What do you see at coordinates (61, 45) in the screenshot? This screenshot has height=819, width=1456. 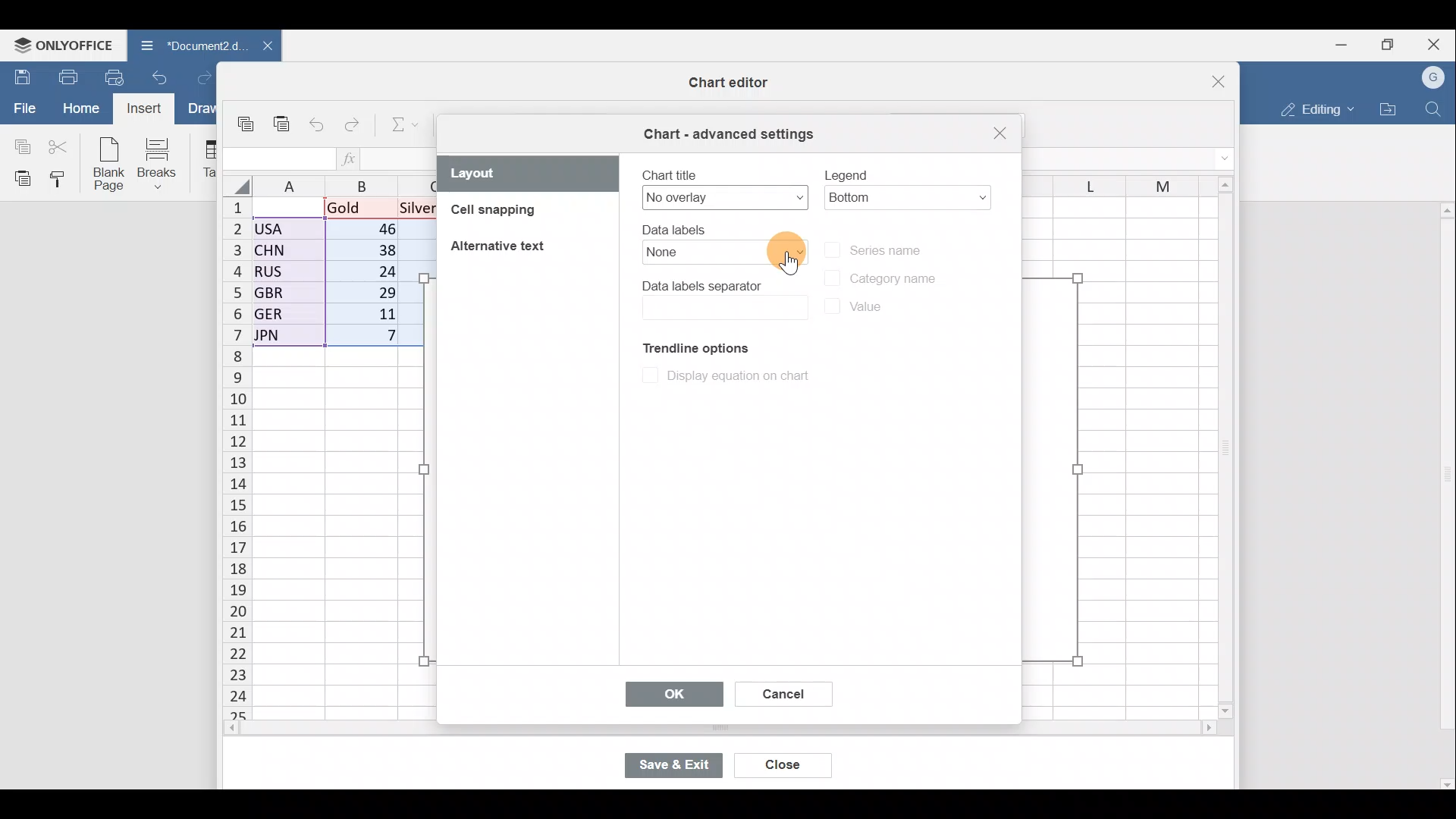 I see `ONLYOFFICE Menu` at bounding box center [61, 45].